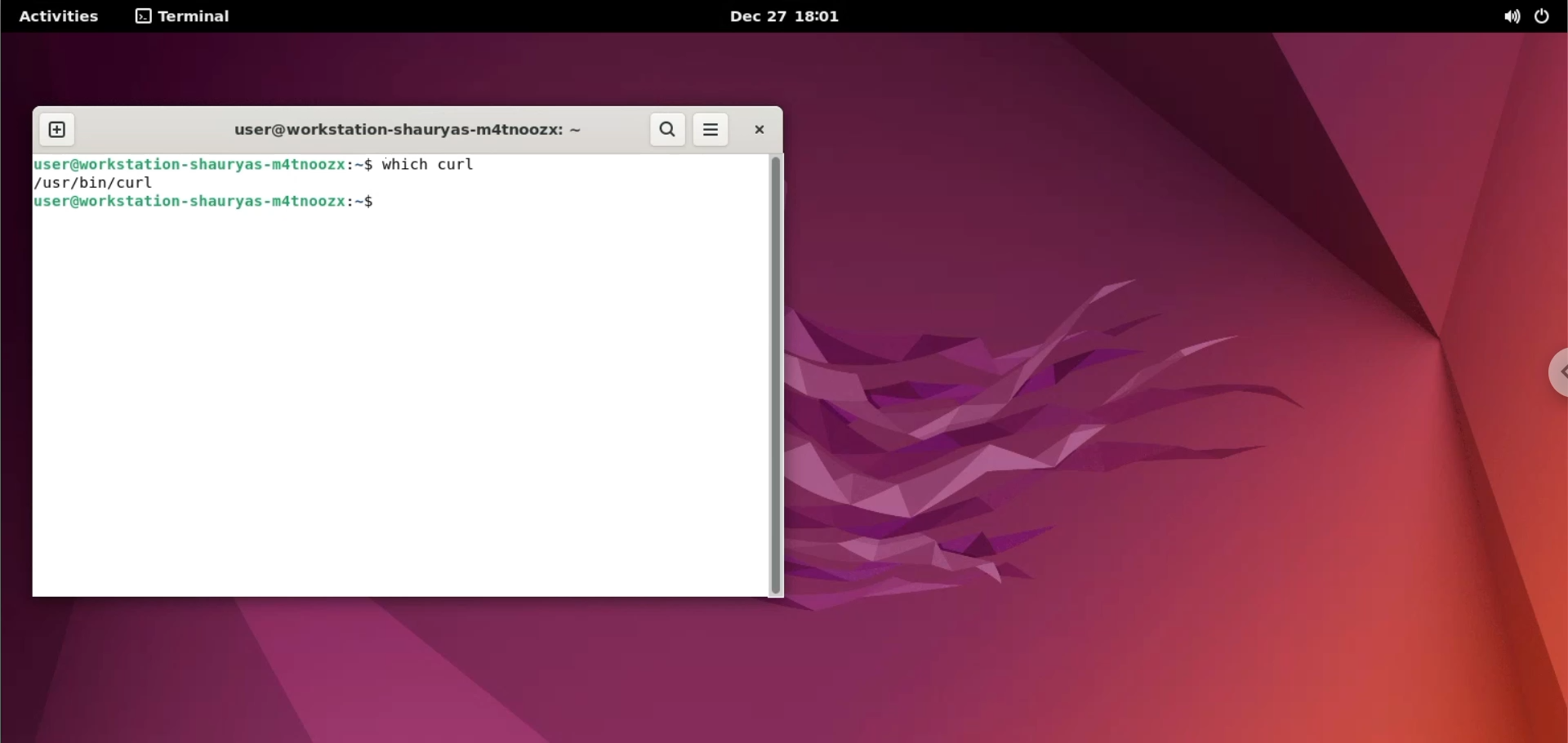  What do you see at coordinates (776, 372) in the screenshot?
I see `scrollbar` at bounding box center [776, 372].